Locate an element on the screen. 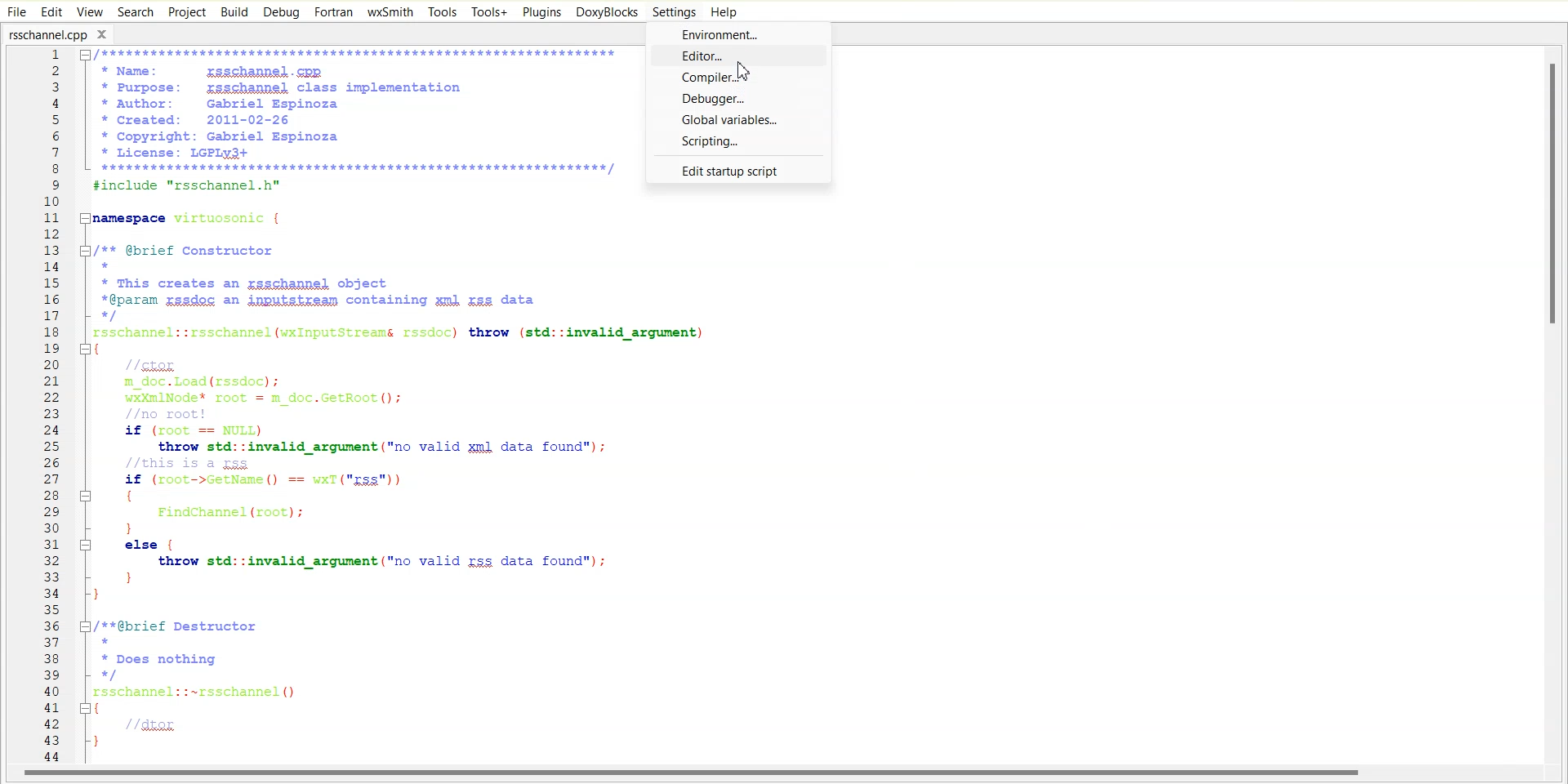  Editor is located at coordinates (742, 55).